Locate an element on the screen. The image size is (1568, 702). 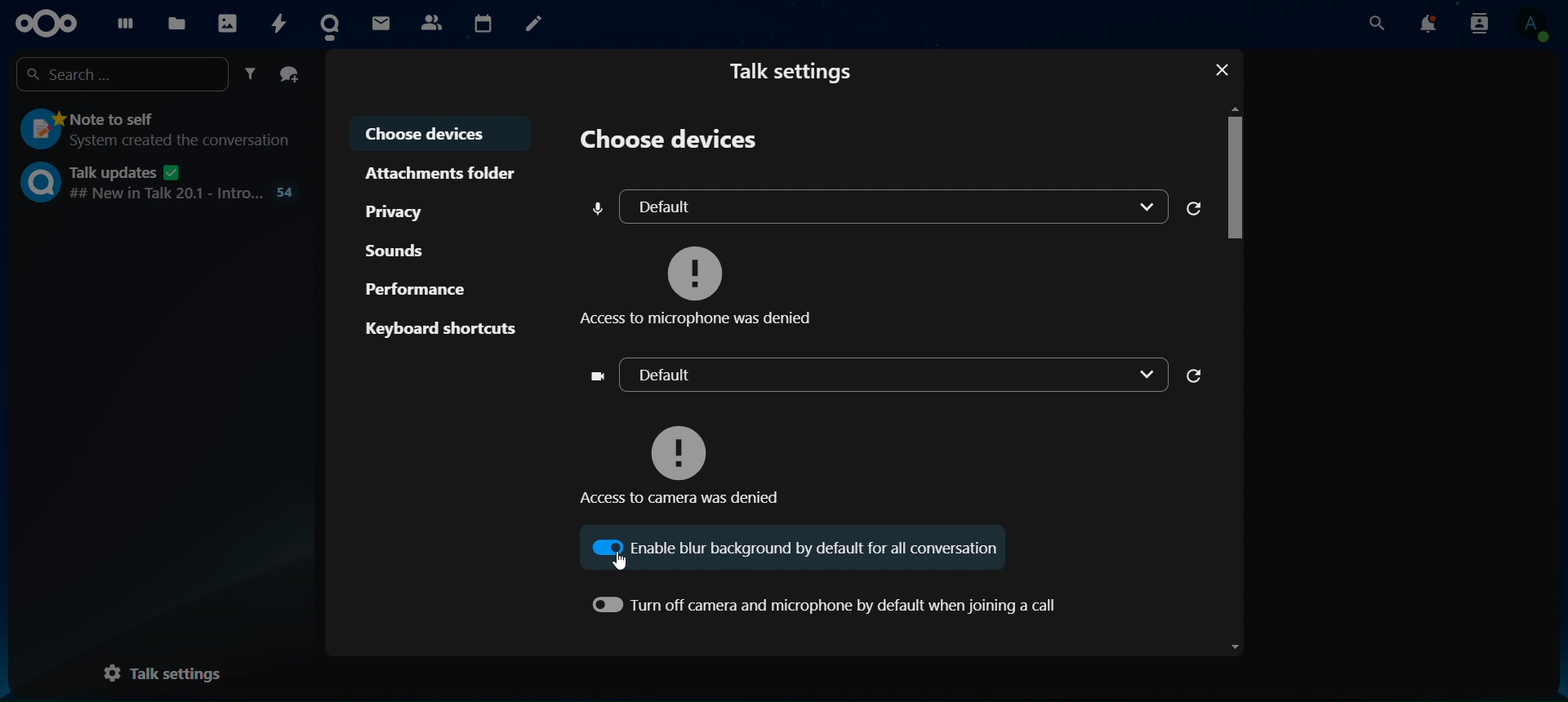
refresh is located at coordinates (1196, 207).